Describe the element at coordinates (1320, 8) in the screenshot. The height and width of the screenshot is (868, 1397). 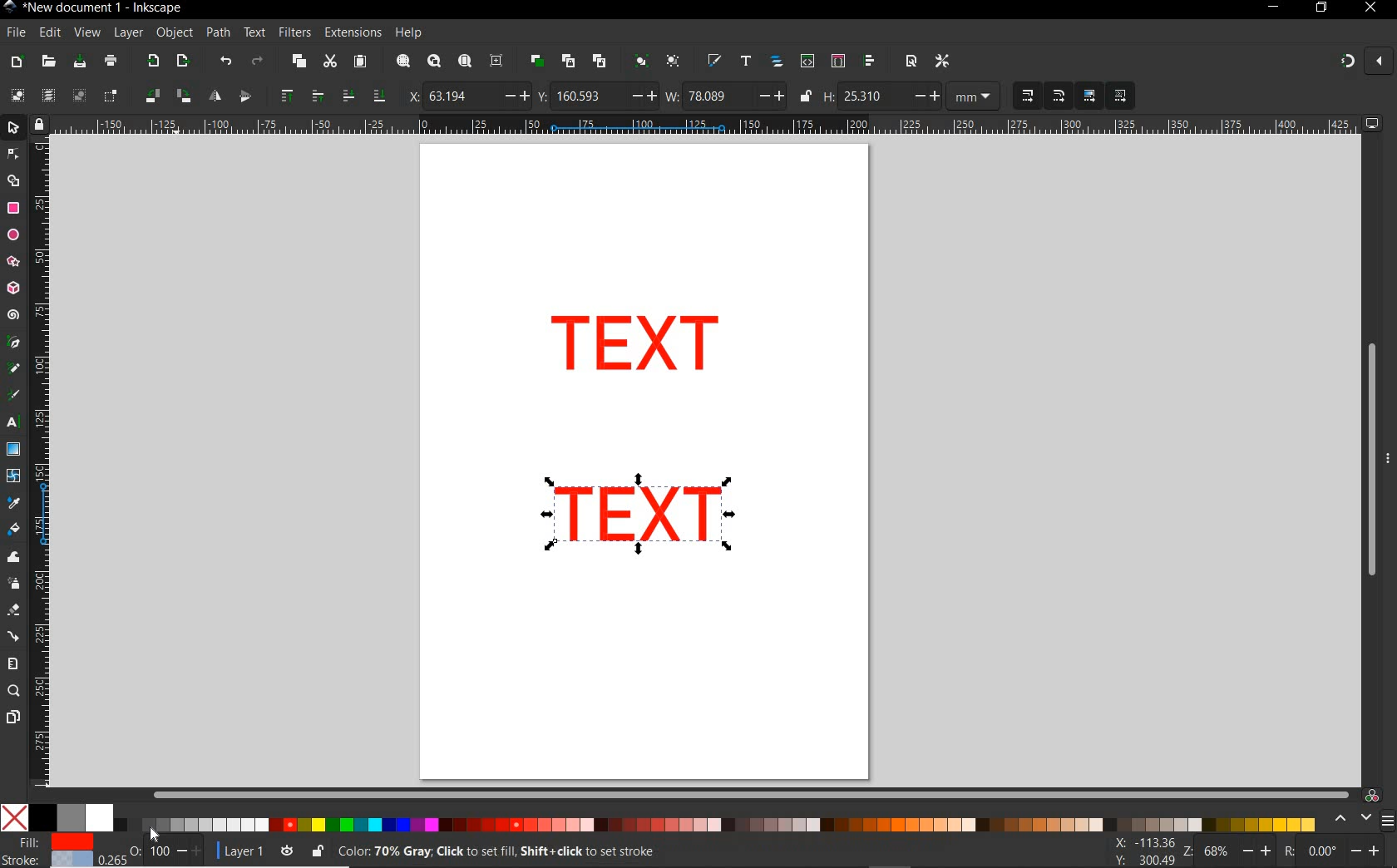
I see `RESTORE DOWN` at that location.